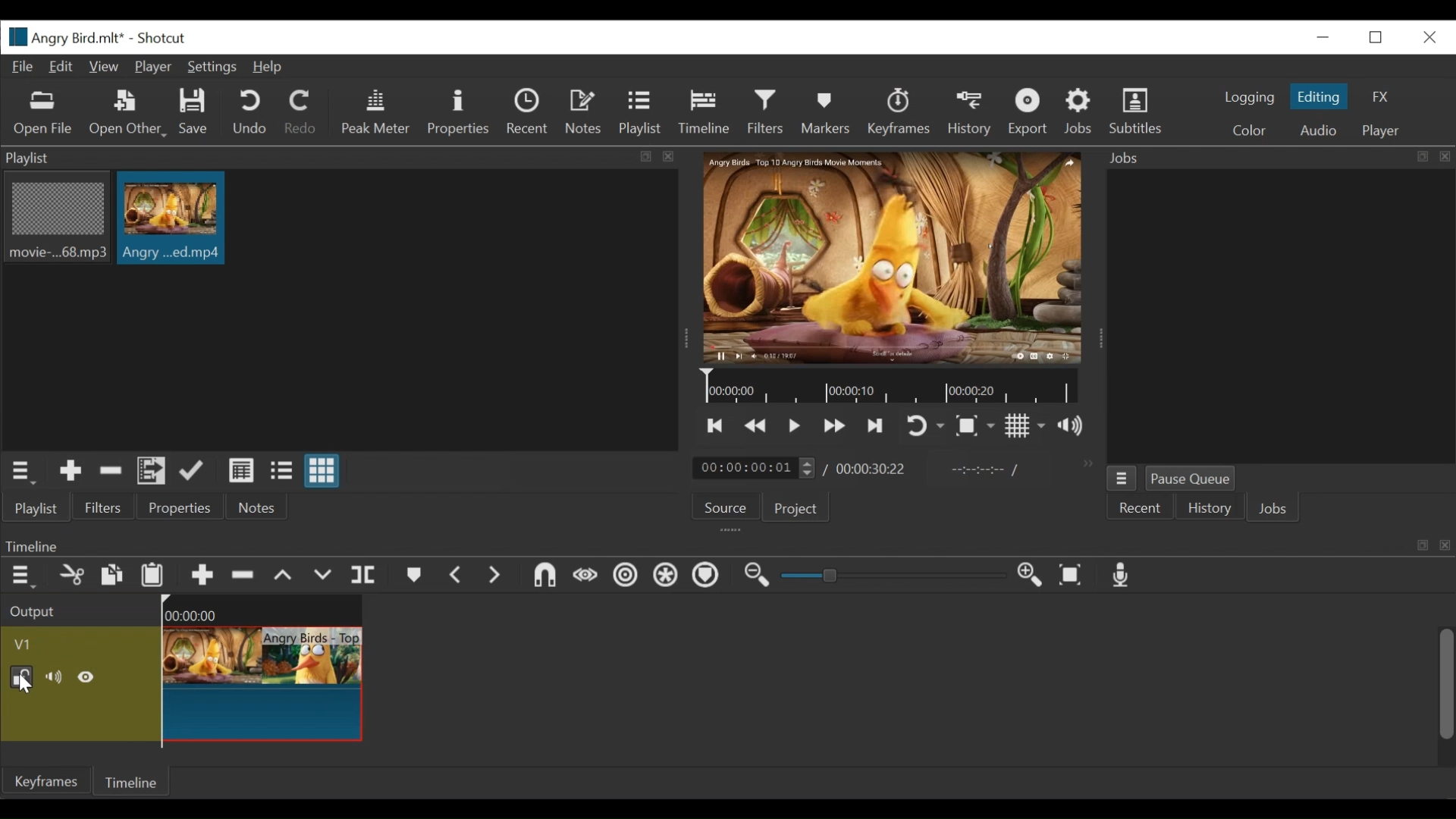  I want to click on Notes, so click(585, 112).